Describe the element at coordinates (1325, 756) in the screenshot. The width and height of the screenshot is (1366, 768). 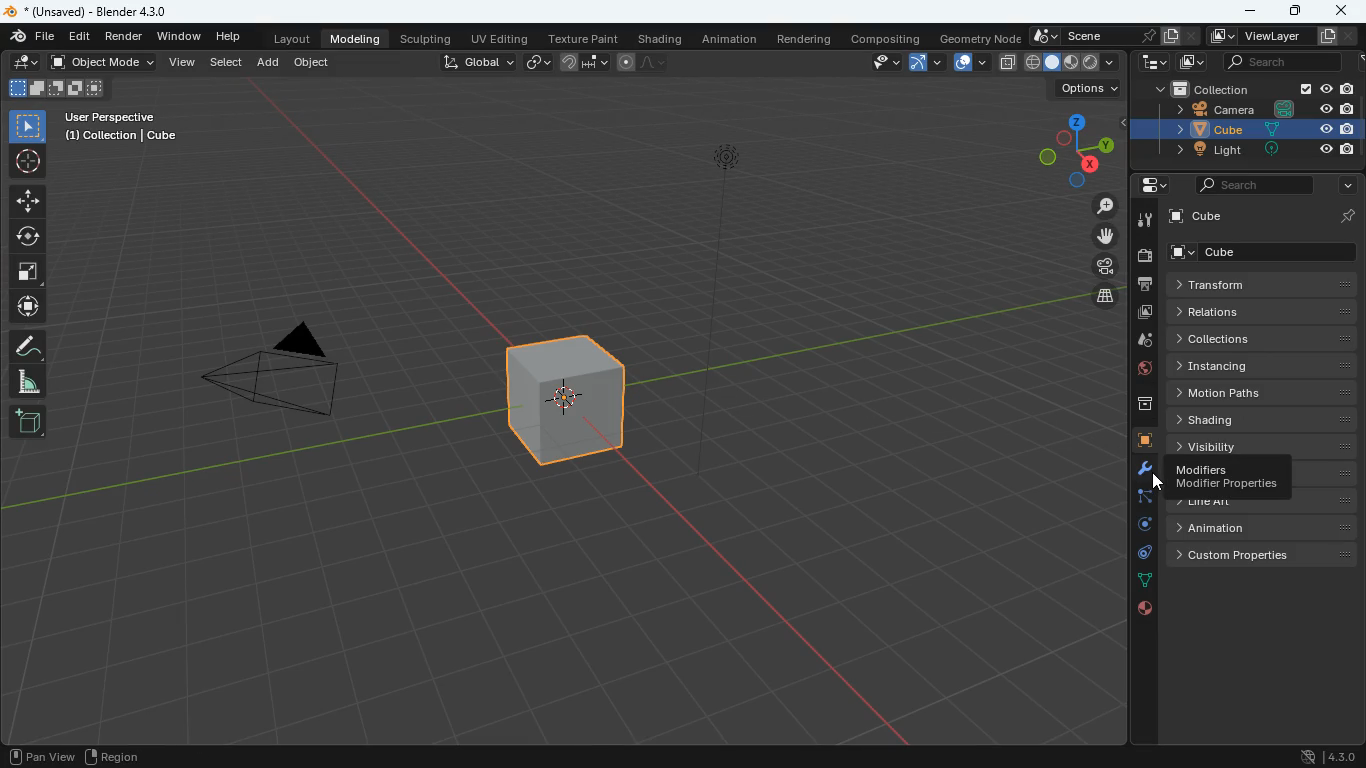
I see `version` at that location.